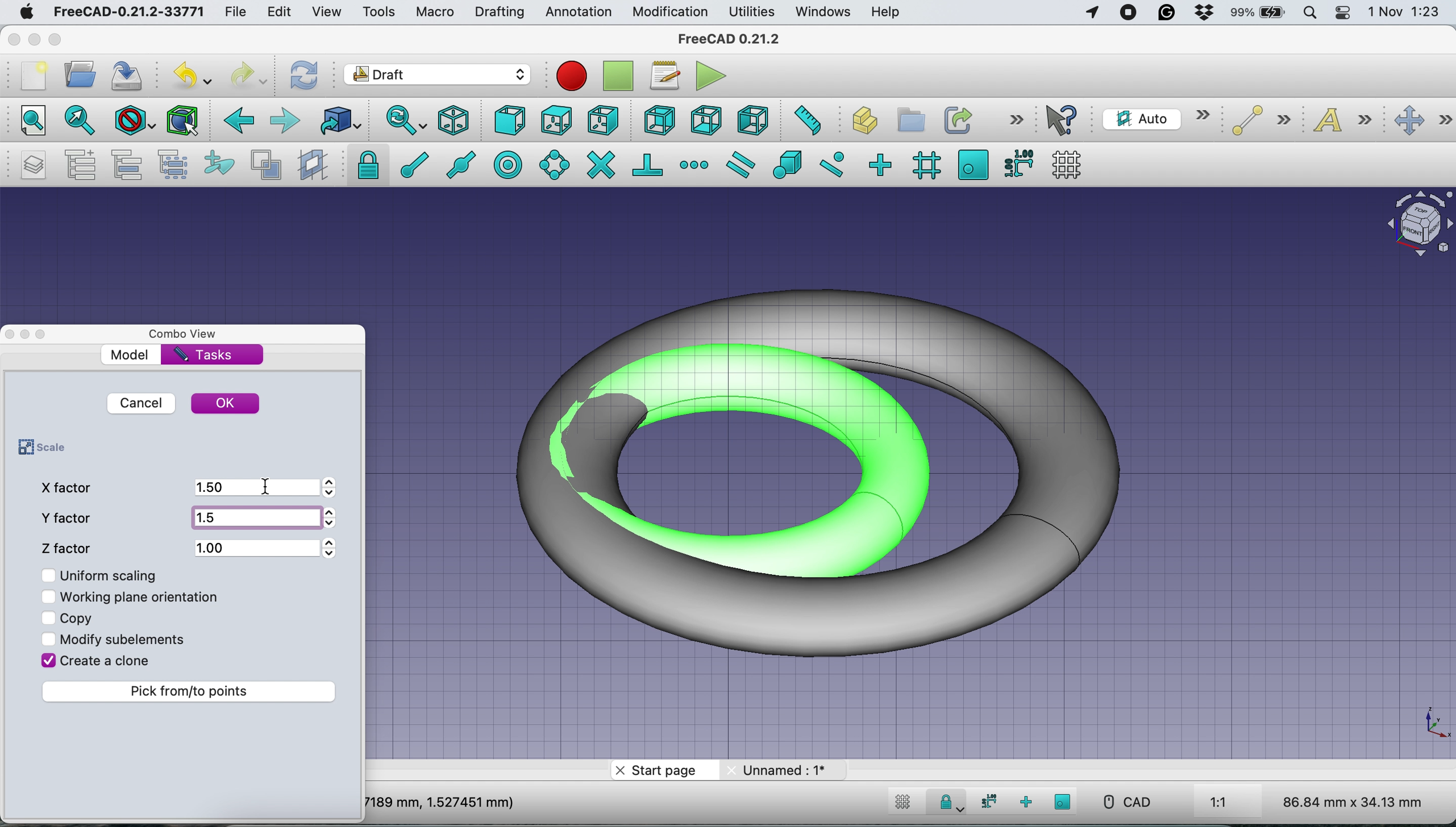 The width and height of the screenshot is (1456, 827). I want to click on Snap Lock, so click(949, 801).